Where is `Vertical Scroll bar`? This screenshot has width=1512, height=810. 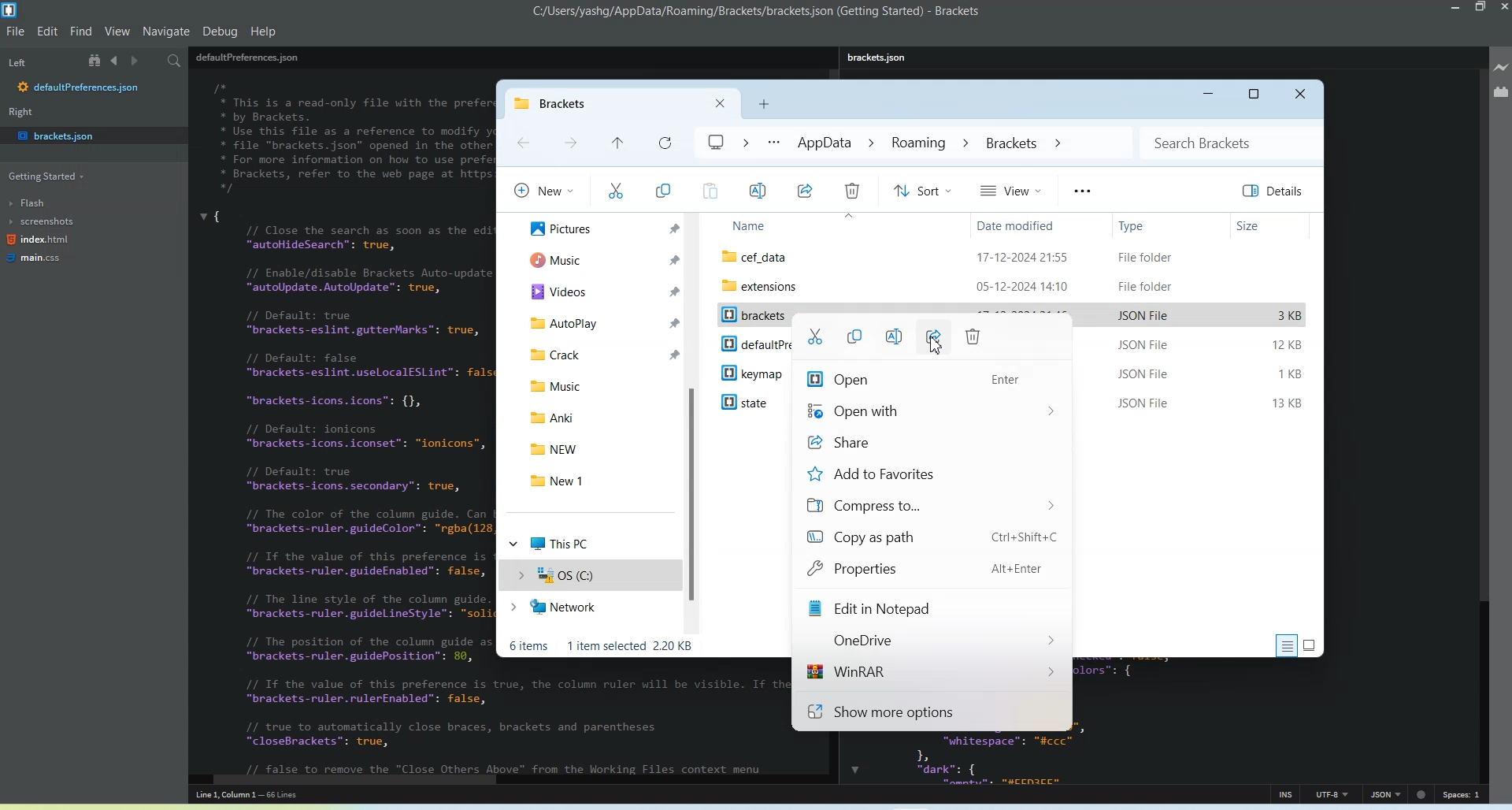
Vertical Scroll bar is located at coordinates (1482, 422).